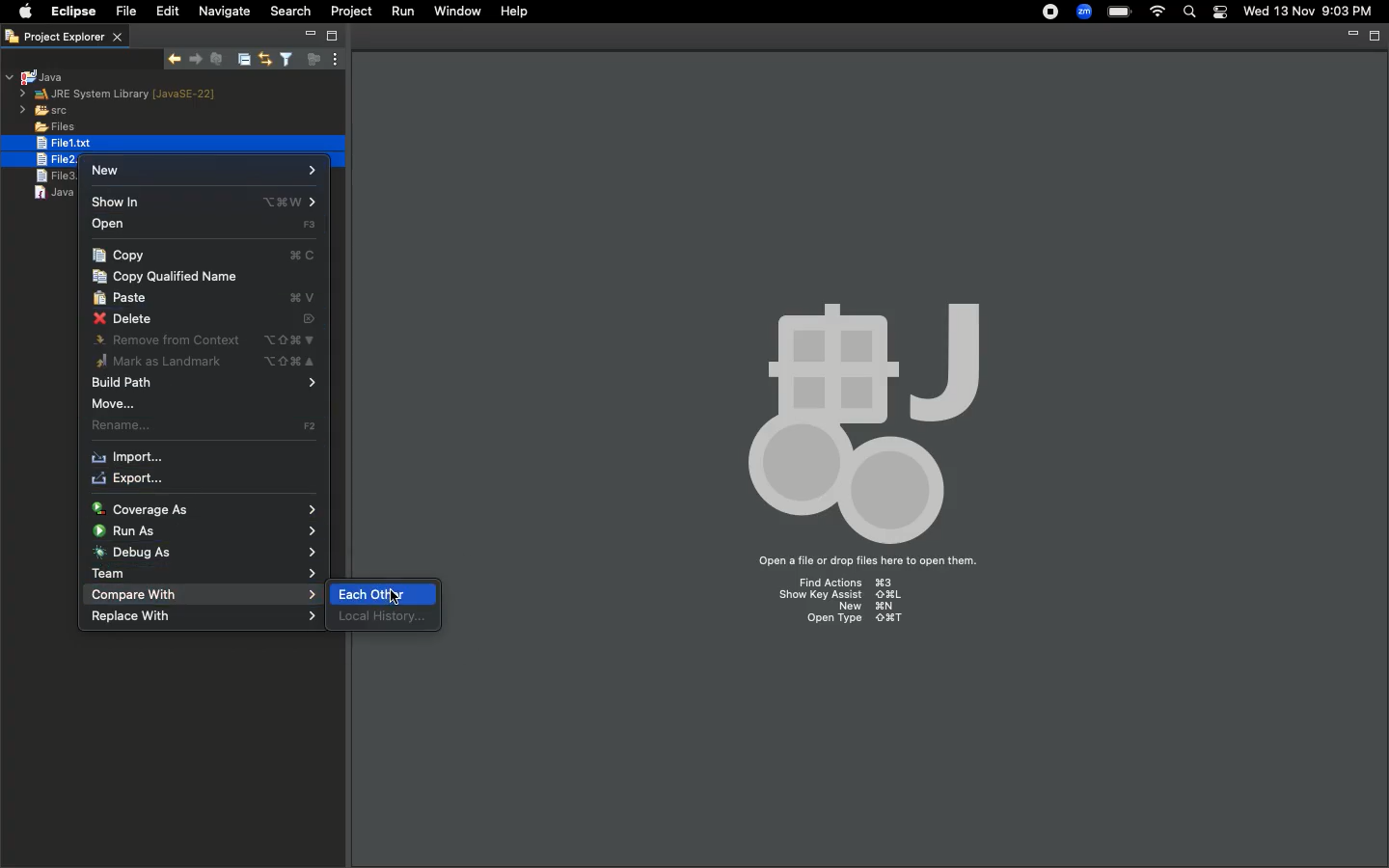 This screenshot has height=868, width=1389. I want to click on Java, so click(38, 77).